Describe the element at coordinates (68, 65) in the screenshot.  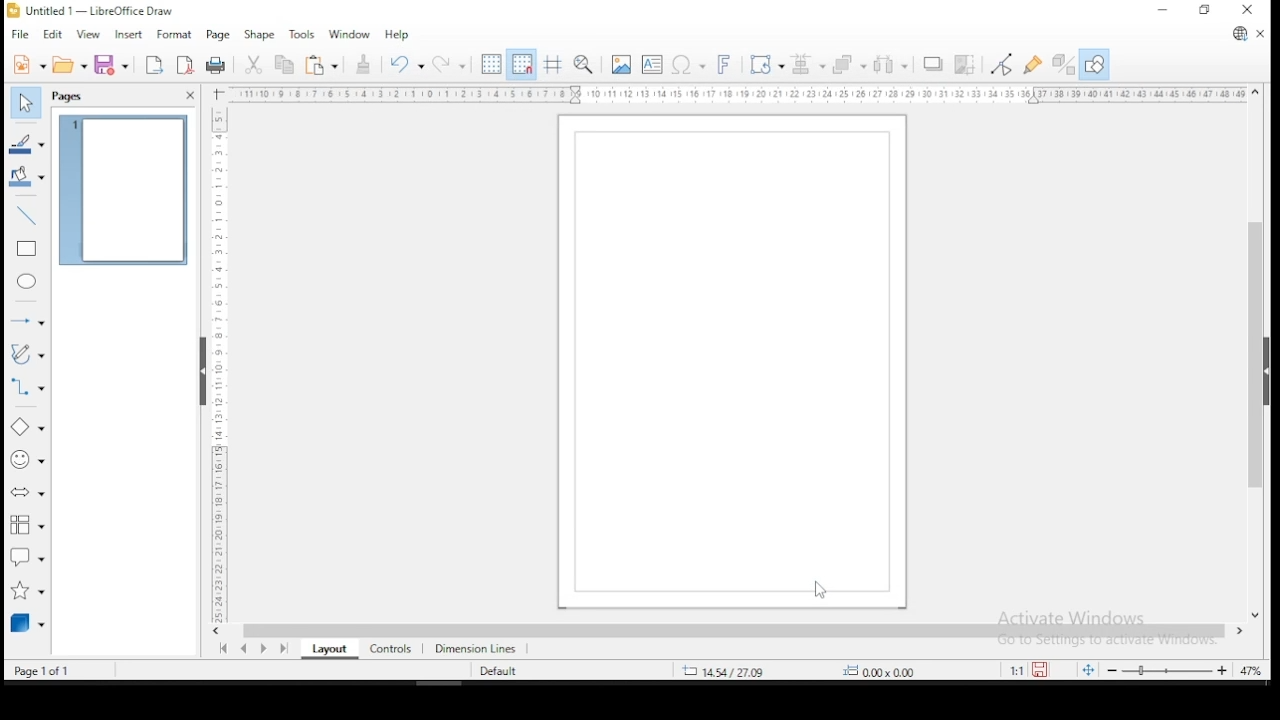
I see `open` at that location.